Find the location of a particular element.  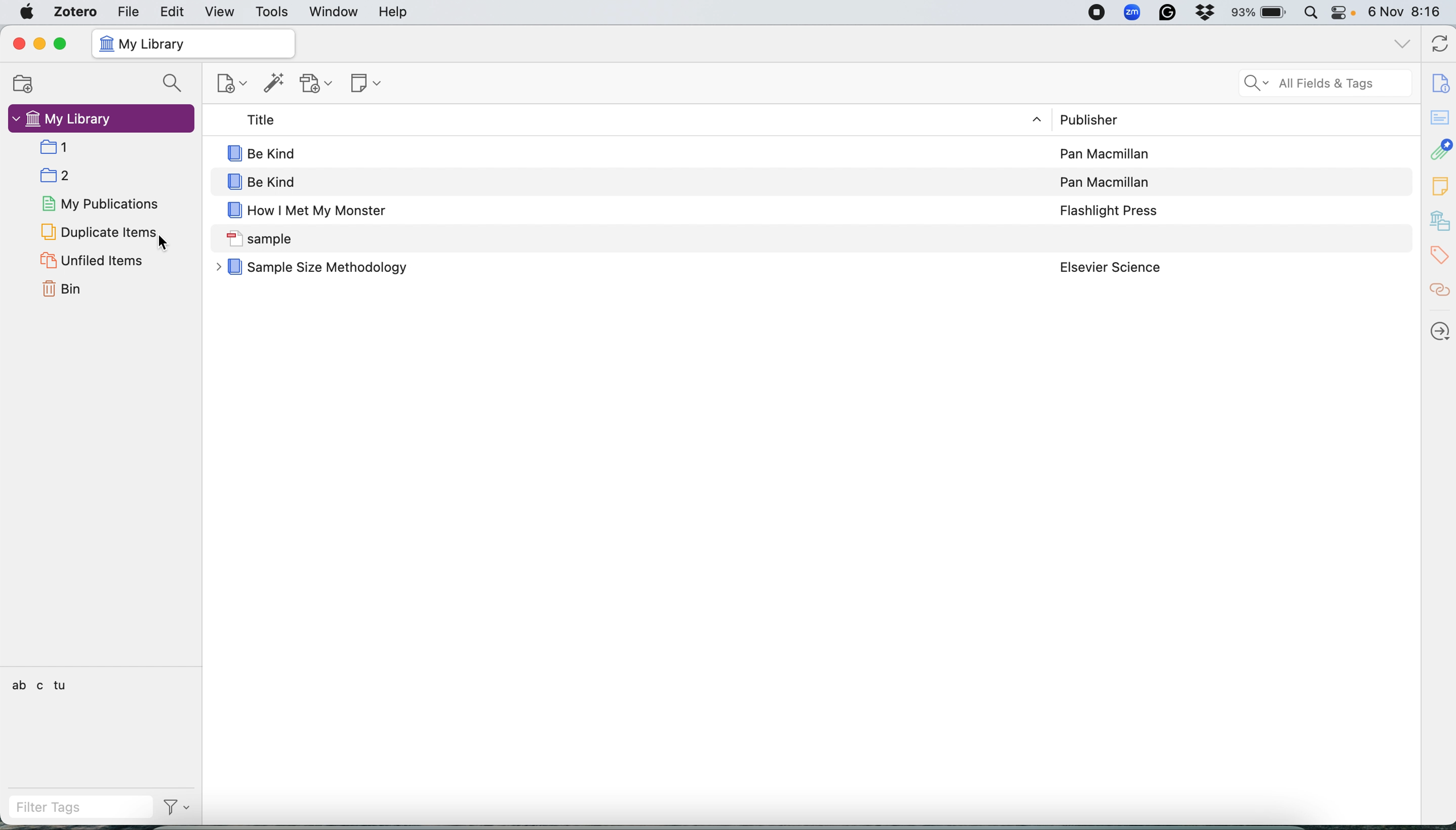

File 1 is located at coordinates (111, 147).